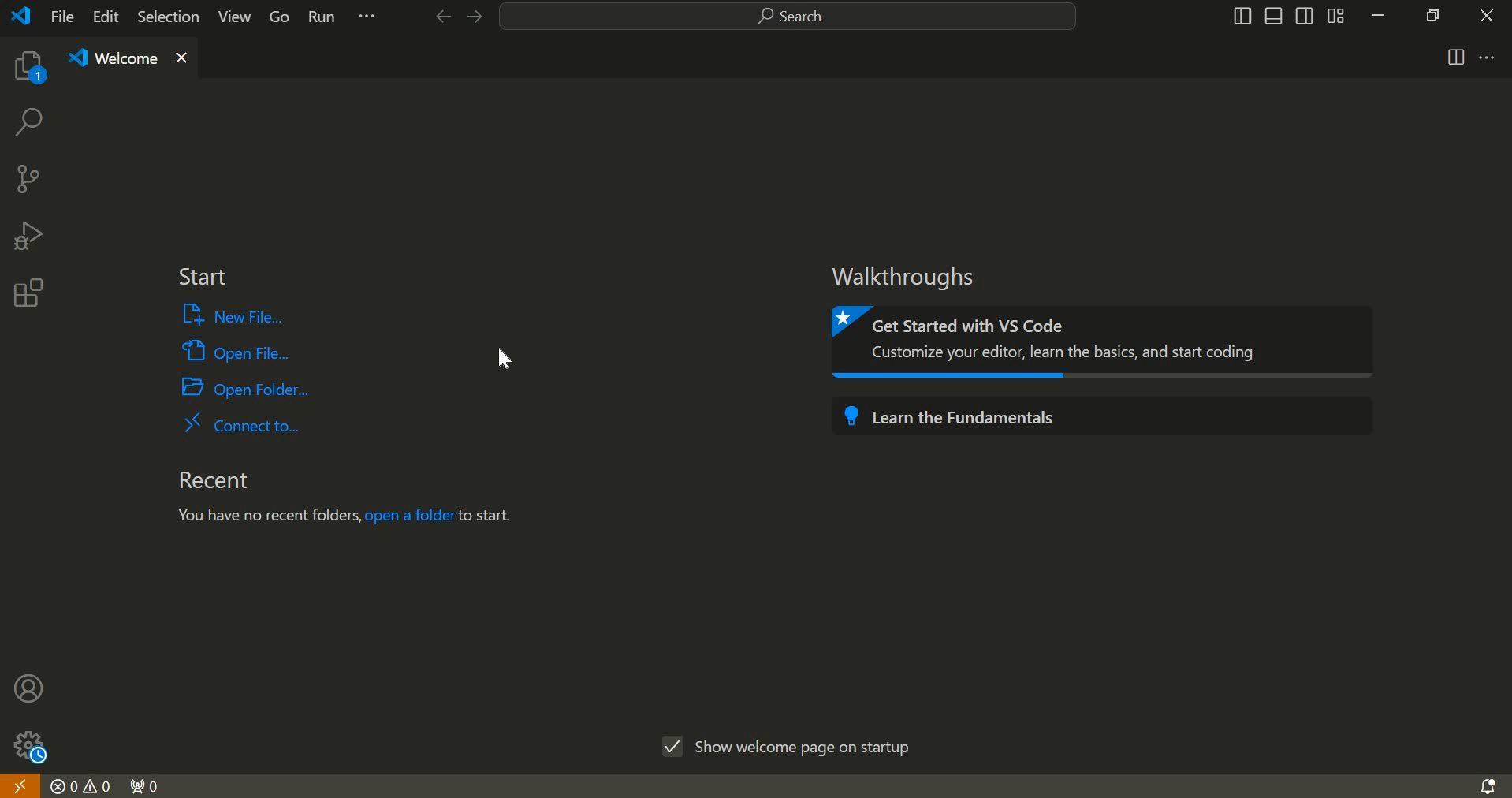  Describe the element at coordinates (1428, 14) in the screenshot. I see `restore down` at that location.